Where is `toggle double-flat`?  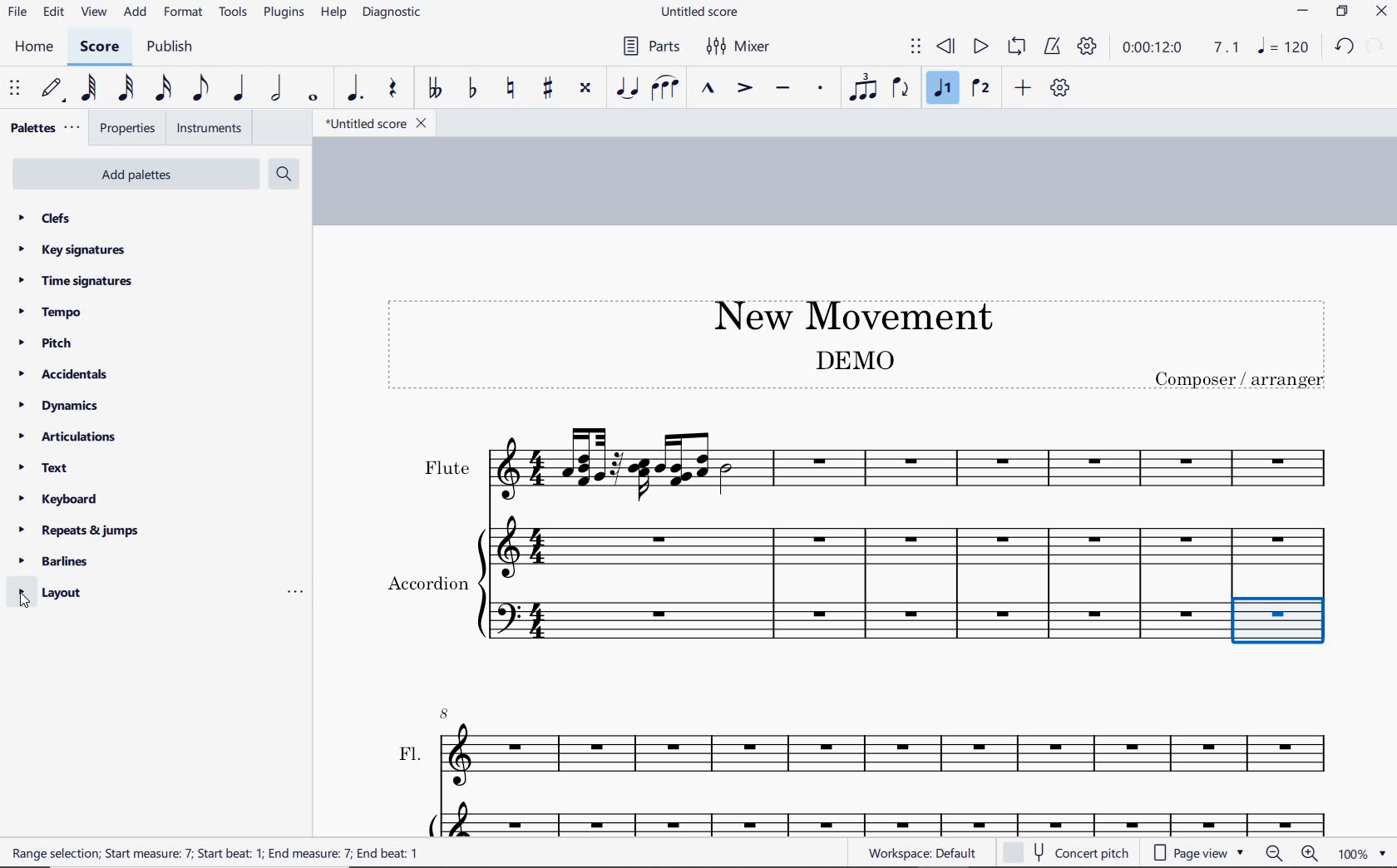
toggle double-flat is located at coordinates (434, 89).